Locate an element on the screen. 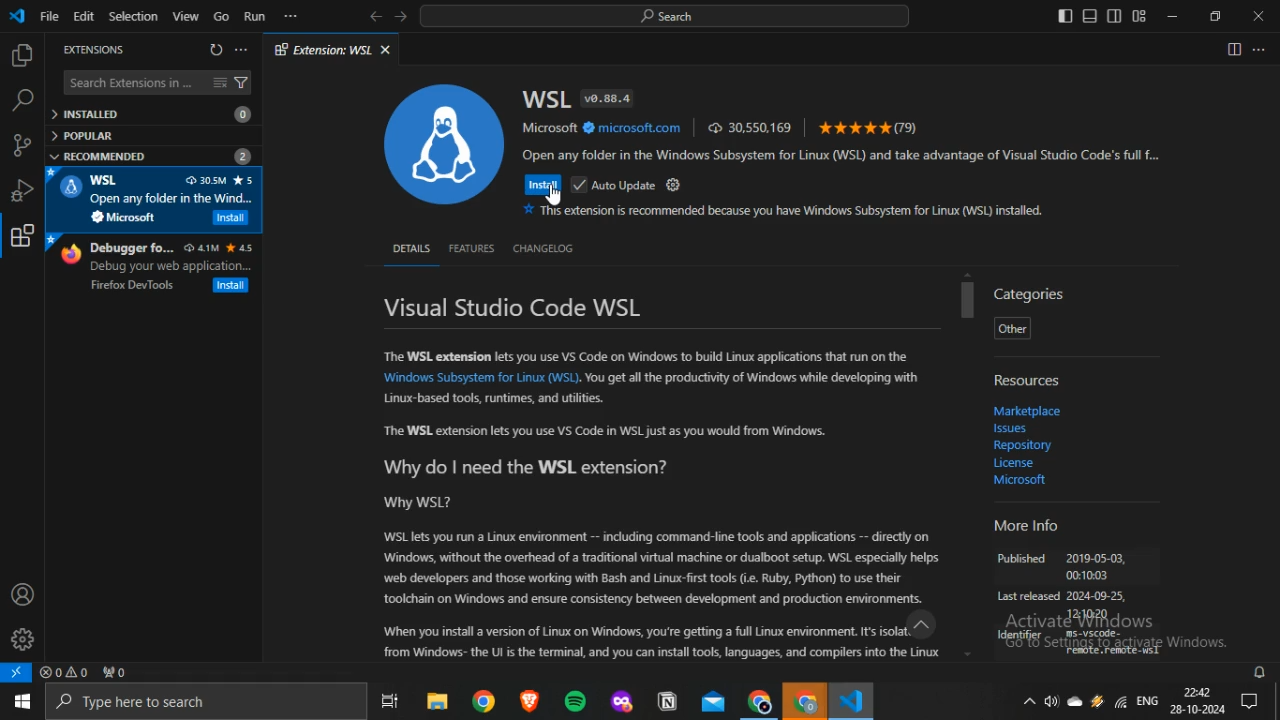 Image resolution: width=1280 pixels, height=720 pixels. winamp agent is located at coordinates (1097, 701).